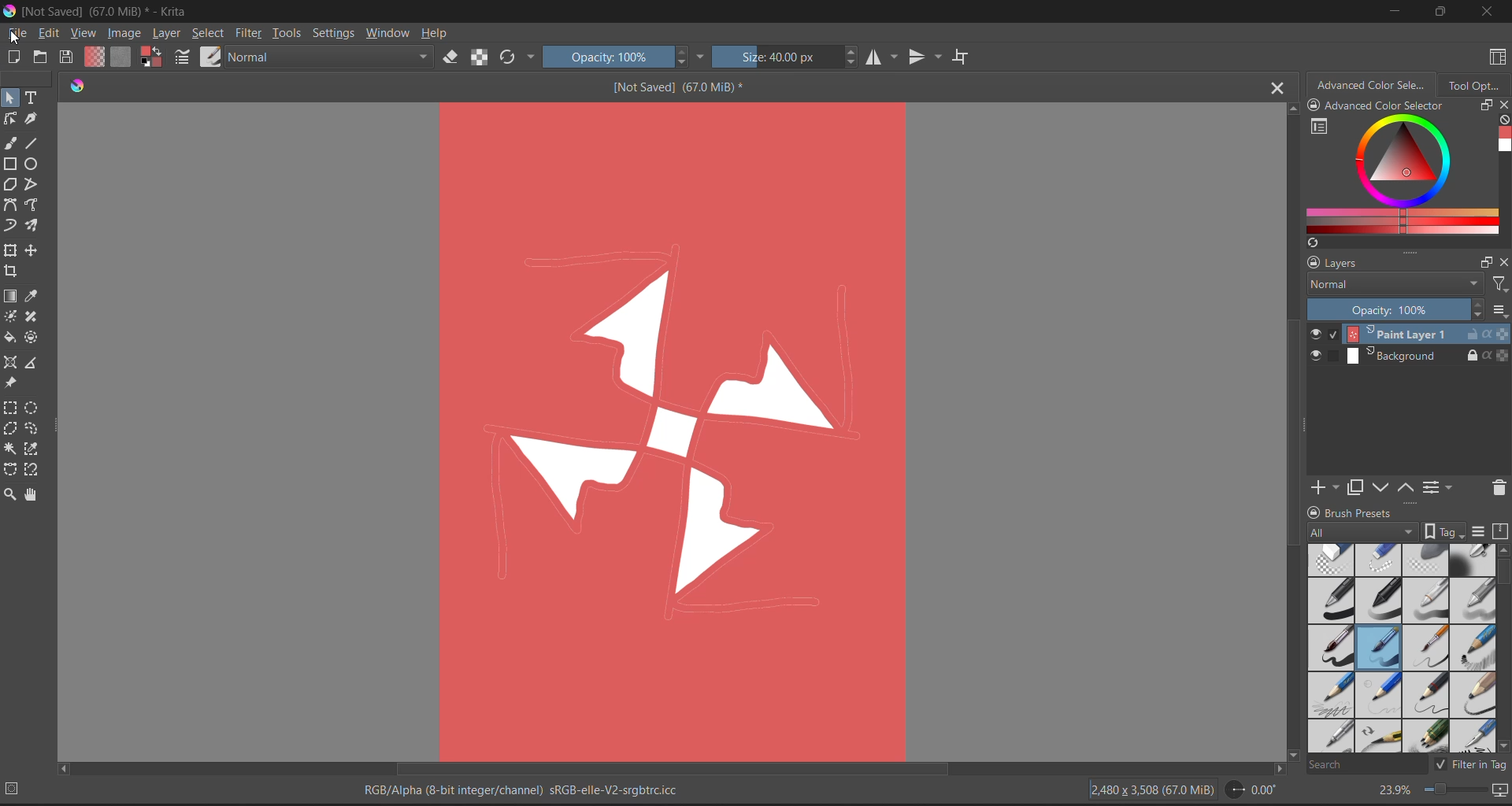 Image resolution: width=1512 pixels, height=806 pixels. I want to click on brush presets, so click(1403, 649).